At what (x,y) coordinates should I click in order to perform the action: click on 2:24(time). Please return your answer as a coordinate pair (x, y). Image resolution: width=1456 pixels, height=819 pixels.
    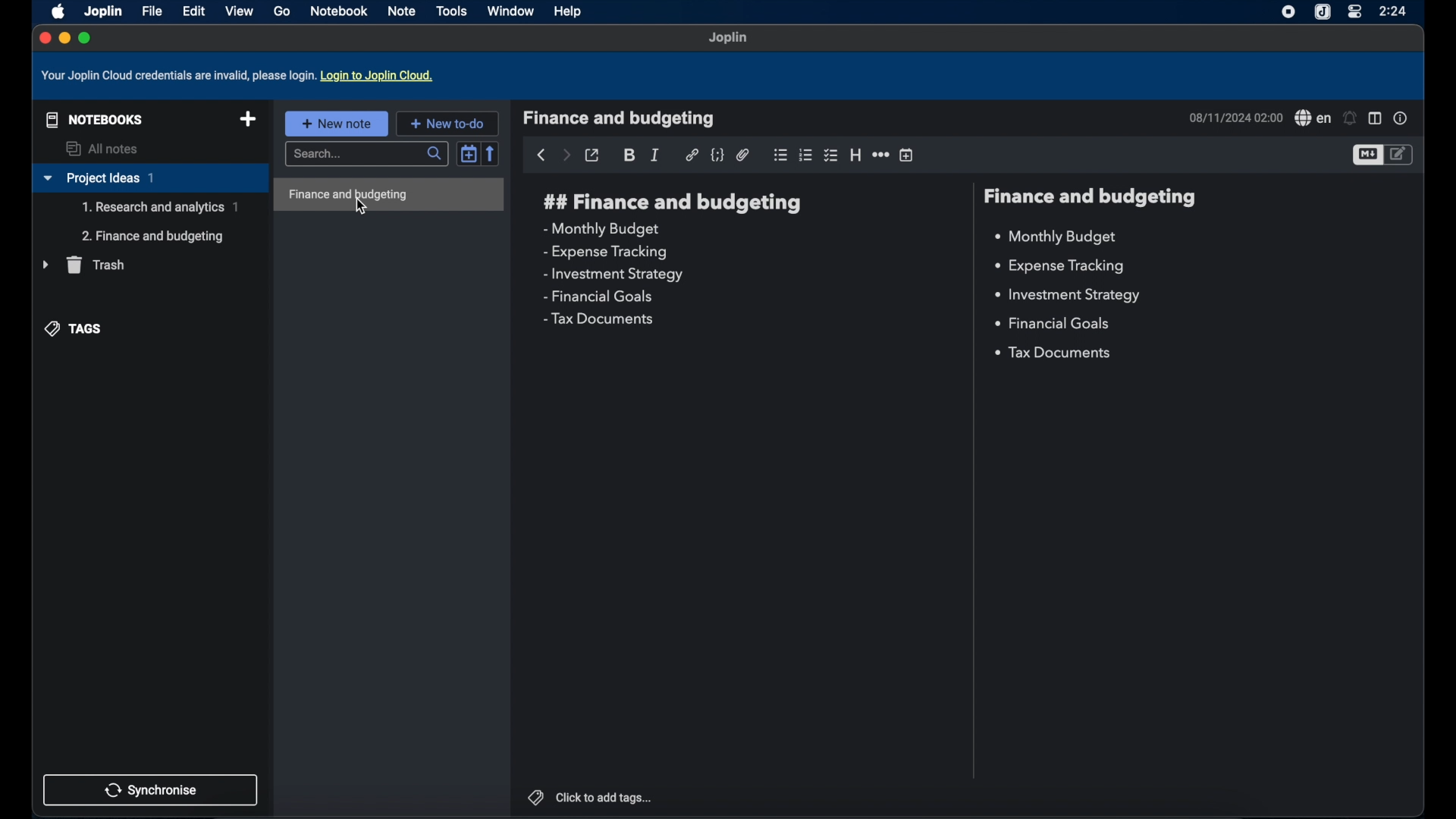
    Looking at the image, I should click on (1395, 11).